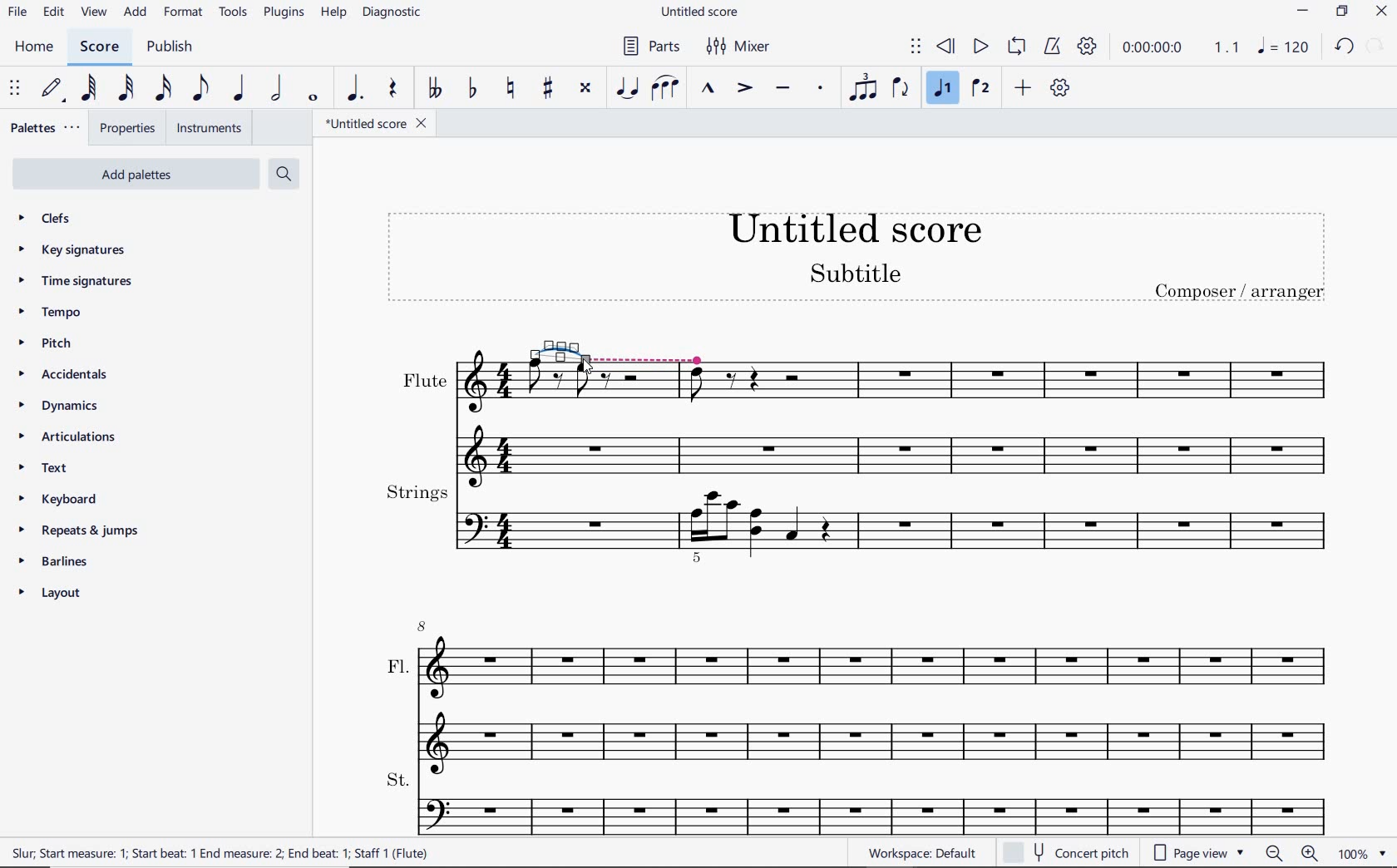 This screenshot has height=868, width=1397. I want to click on pitch, so click(52, 344).